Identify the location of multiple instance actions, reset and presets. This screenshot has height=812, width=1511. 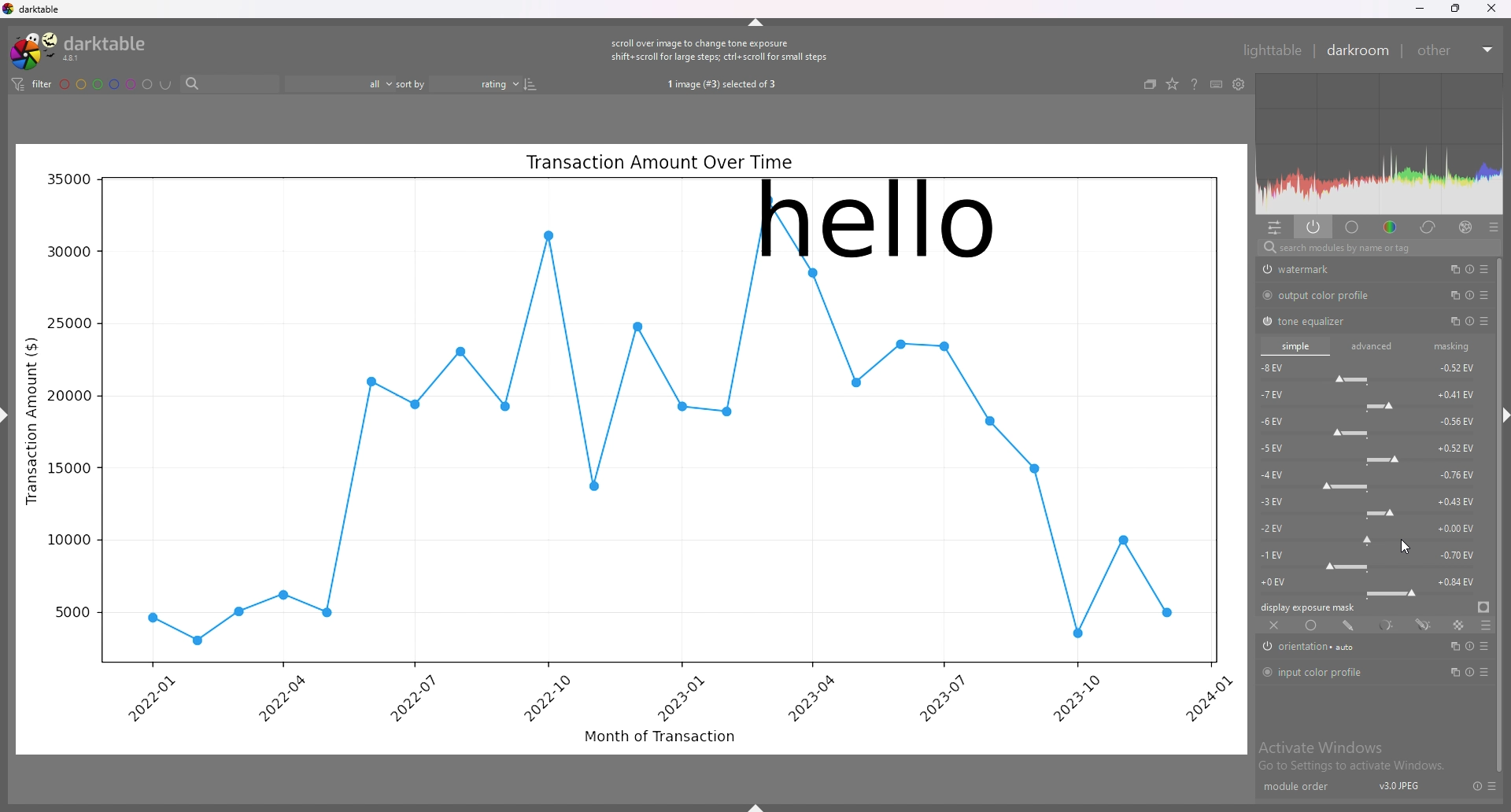
(1469, 647).